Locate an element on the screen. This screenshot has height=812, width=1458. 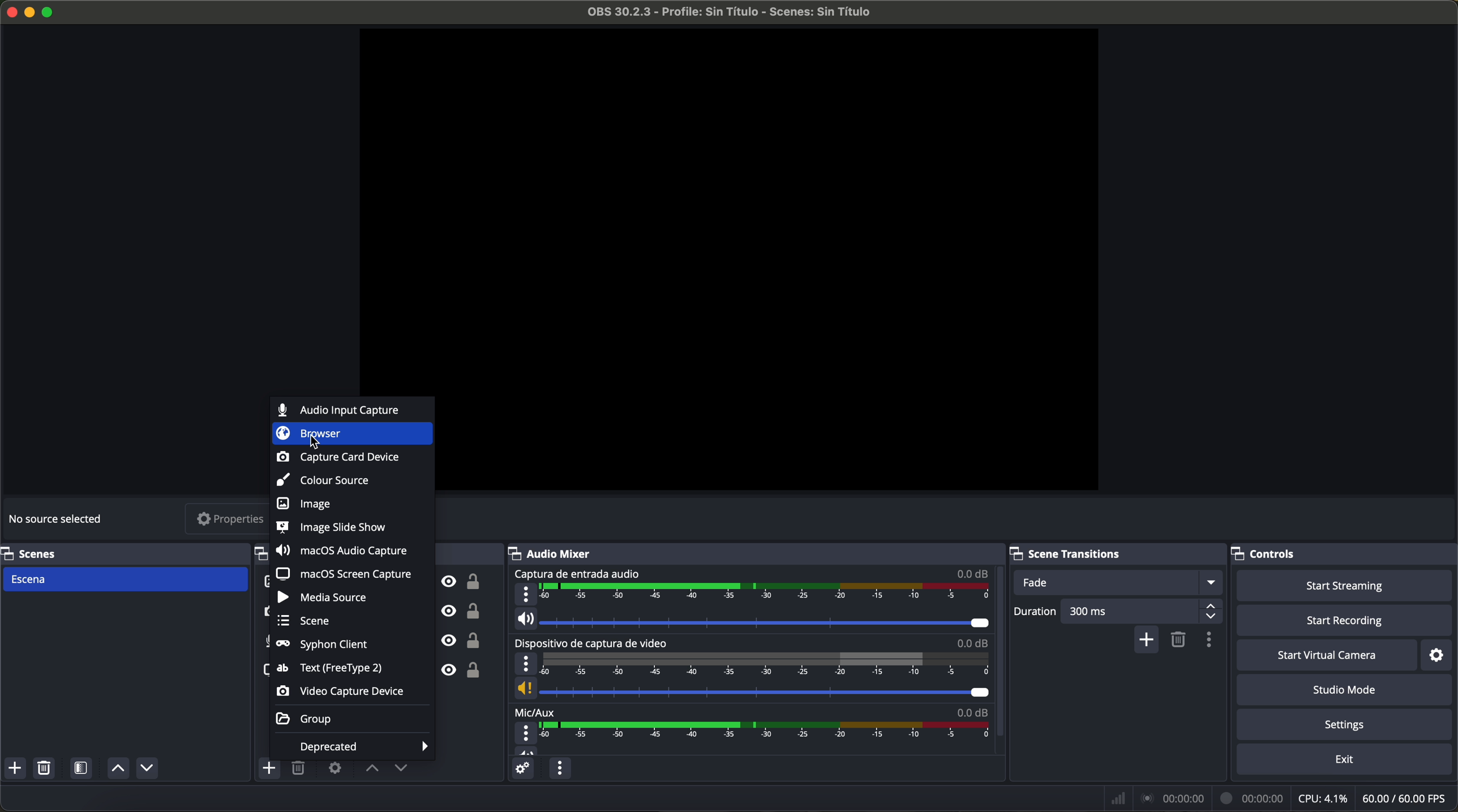
open source properties is located at coordinates (335, 769).